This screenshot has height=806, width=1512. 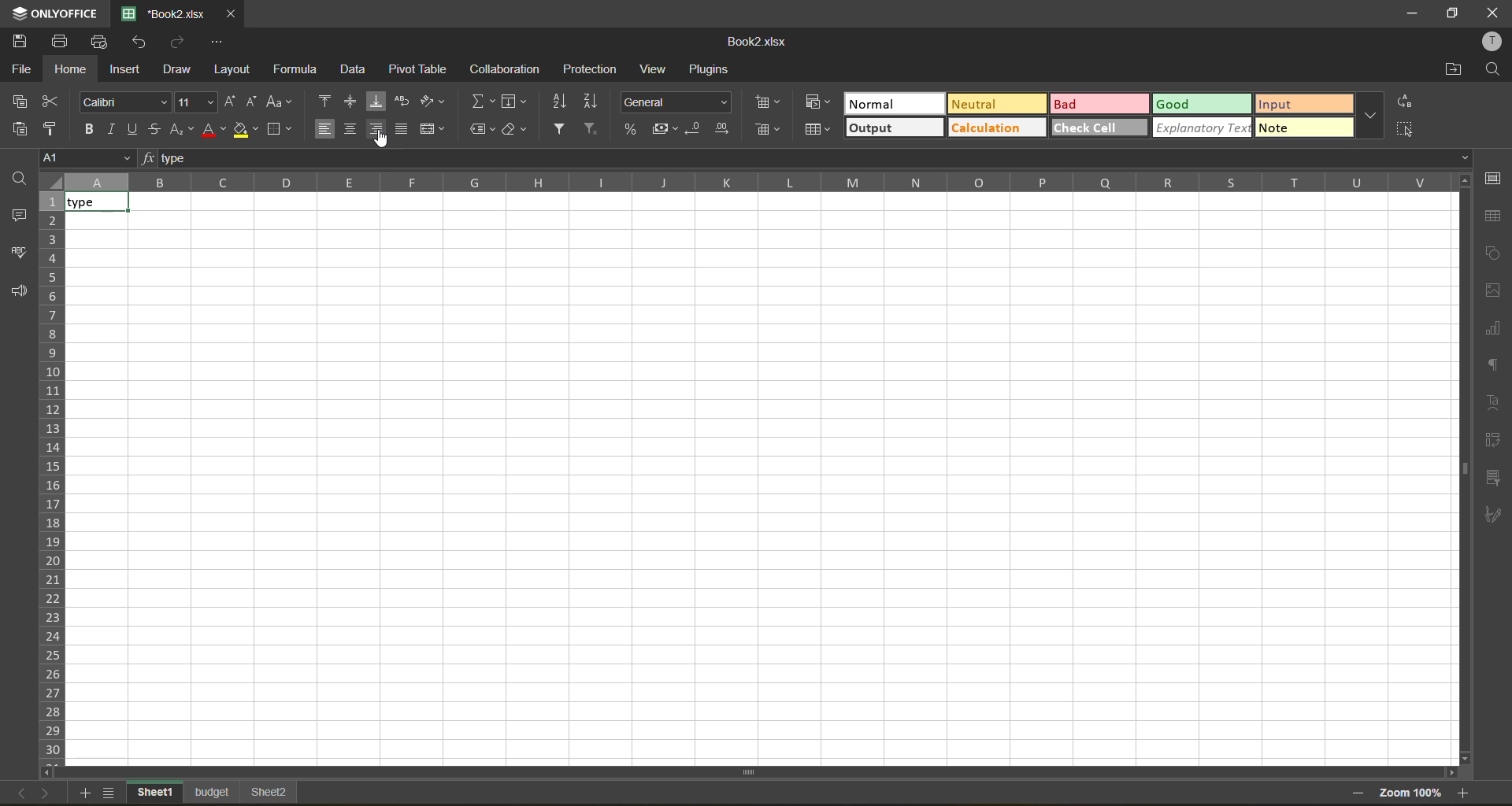 What do you see at coordinates (279, 128) in the screenshot?
I see `borders` at bounding box center [279, 128].